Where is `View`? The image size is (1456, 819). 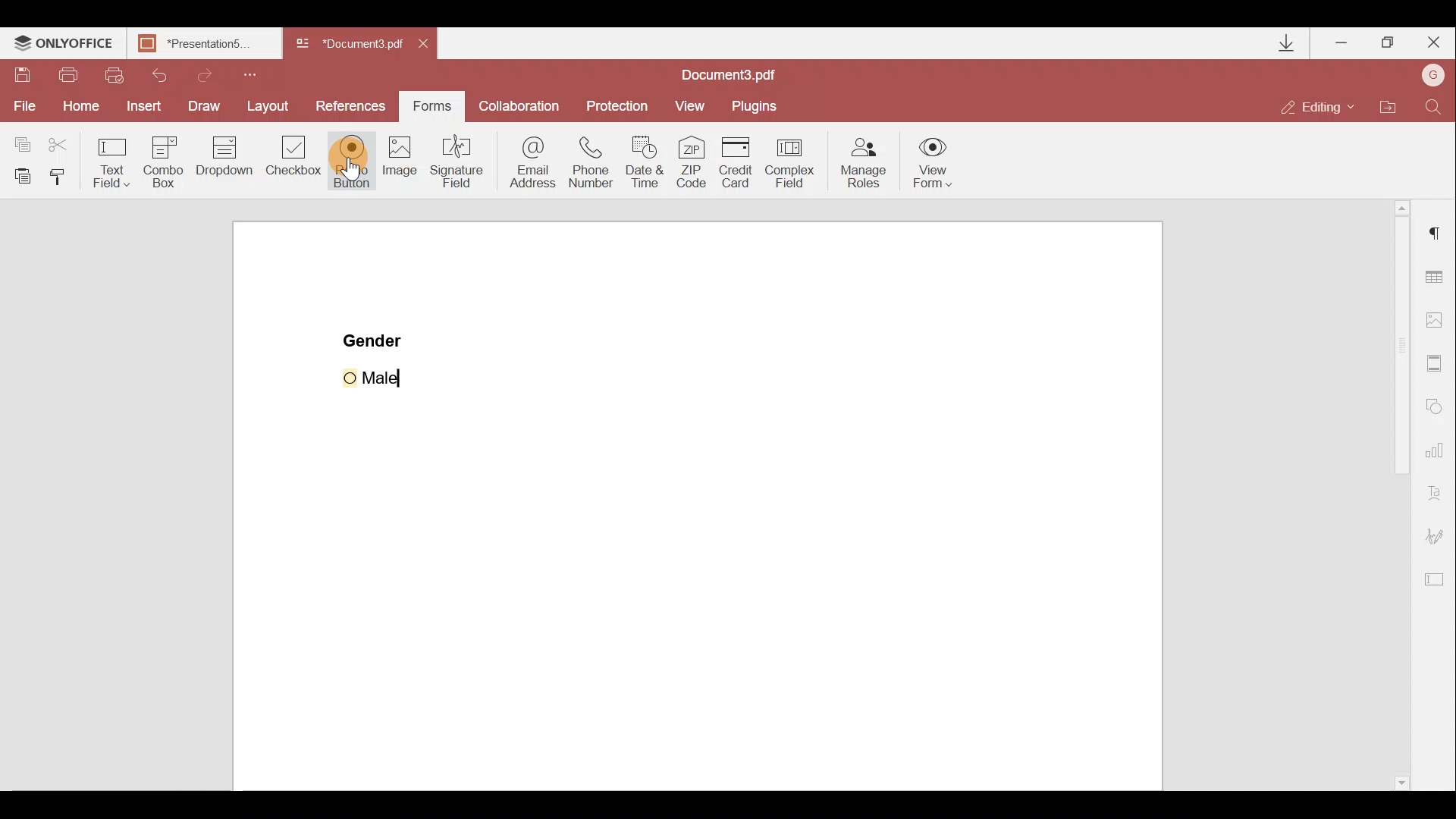
View is located at coordinates (697, 104).